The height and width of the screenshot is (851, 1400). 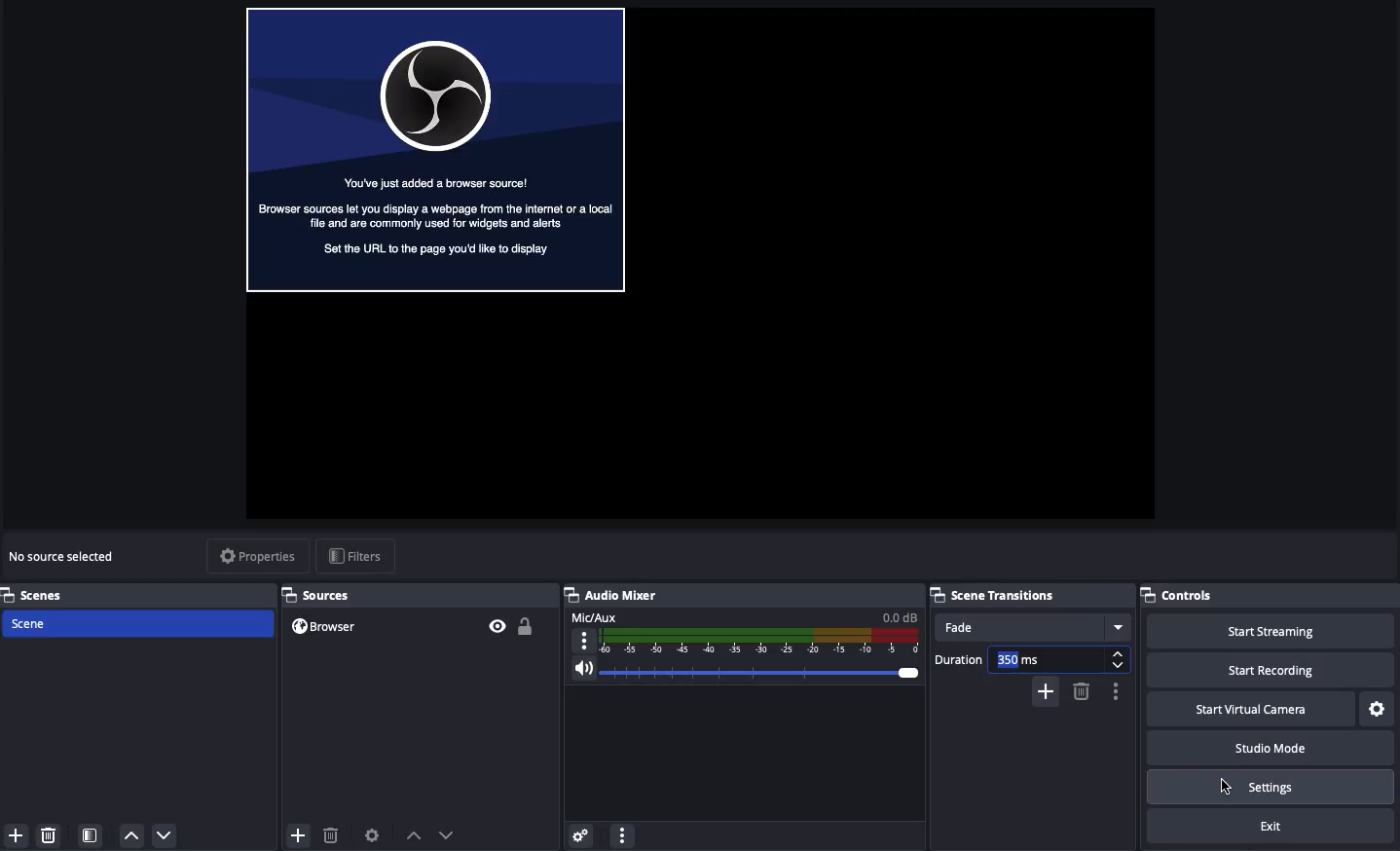 What do you see at coordinates (446, 834) in the screenshot?
I see `Move down` at bounding box center [446, 834].